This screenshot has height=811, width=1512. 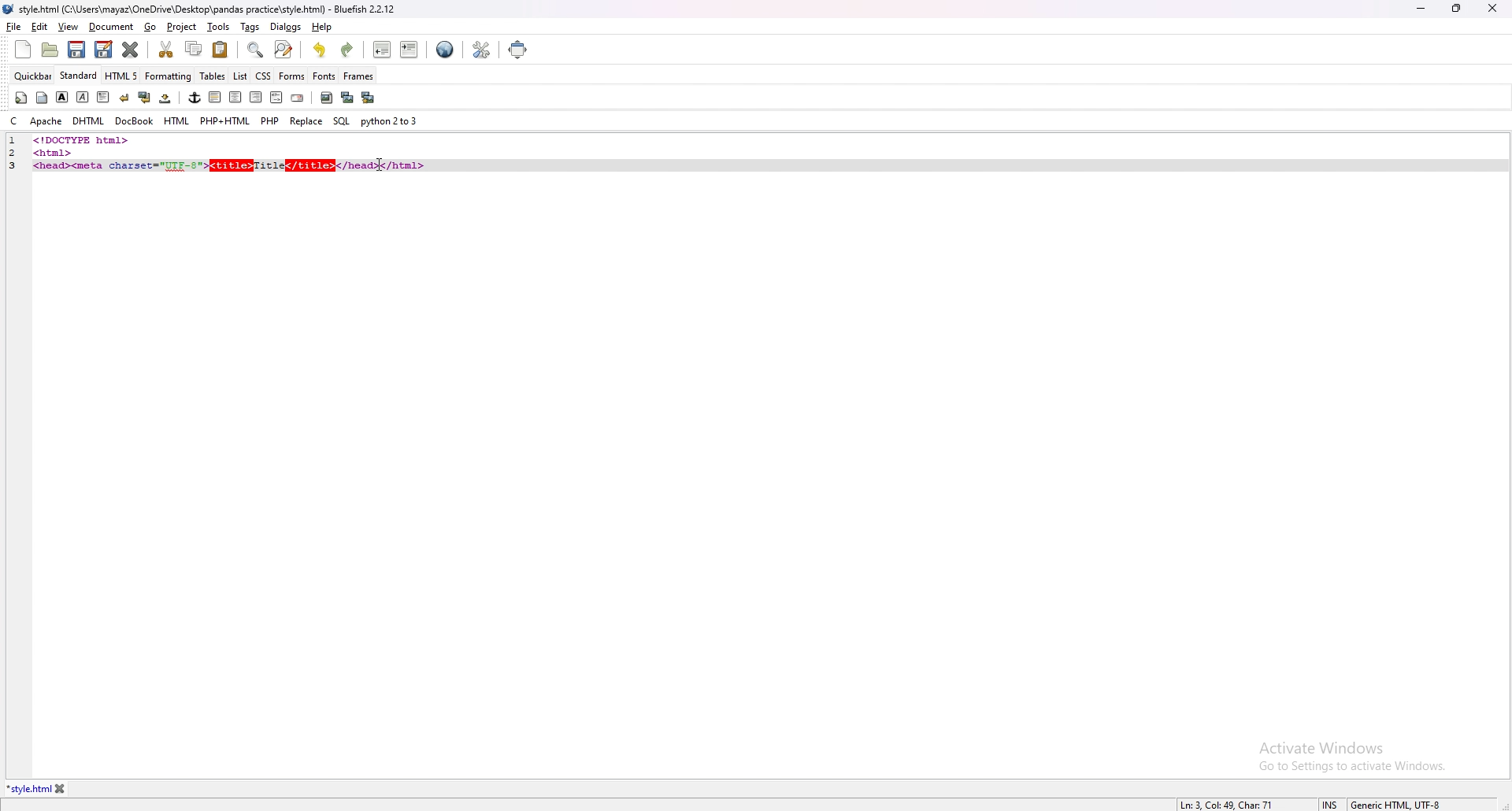 I want to click on new, so click(x=23, y=50).